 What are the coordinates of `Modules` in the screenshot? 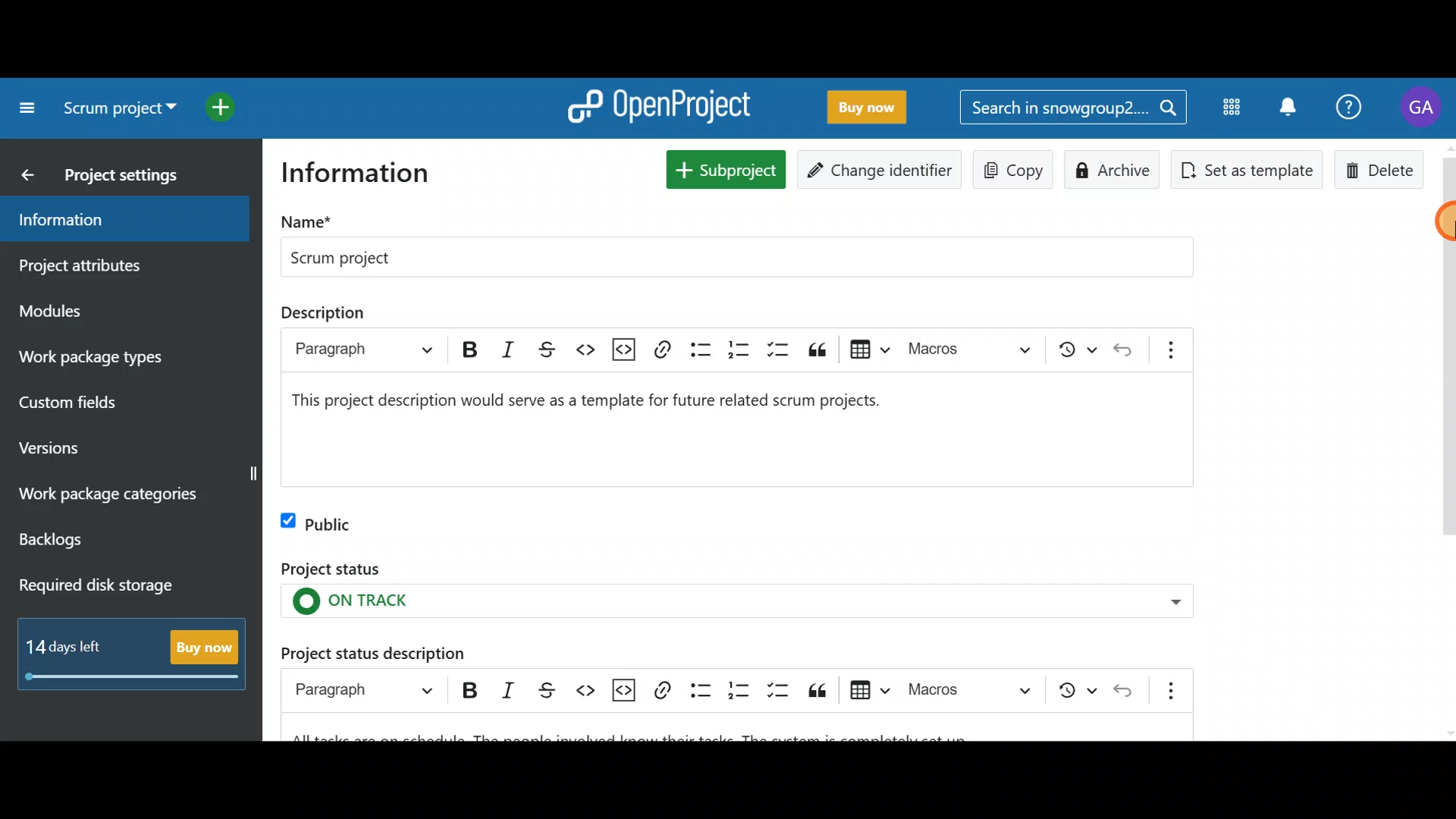 It's located at (106, 310).